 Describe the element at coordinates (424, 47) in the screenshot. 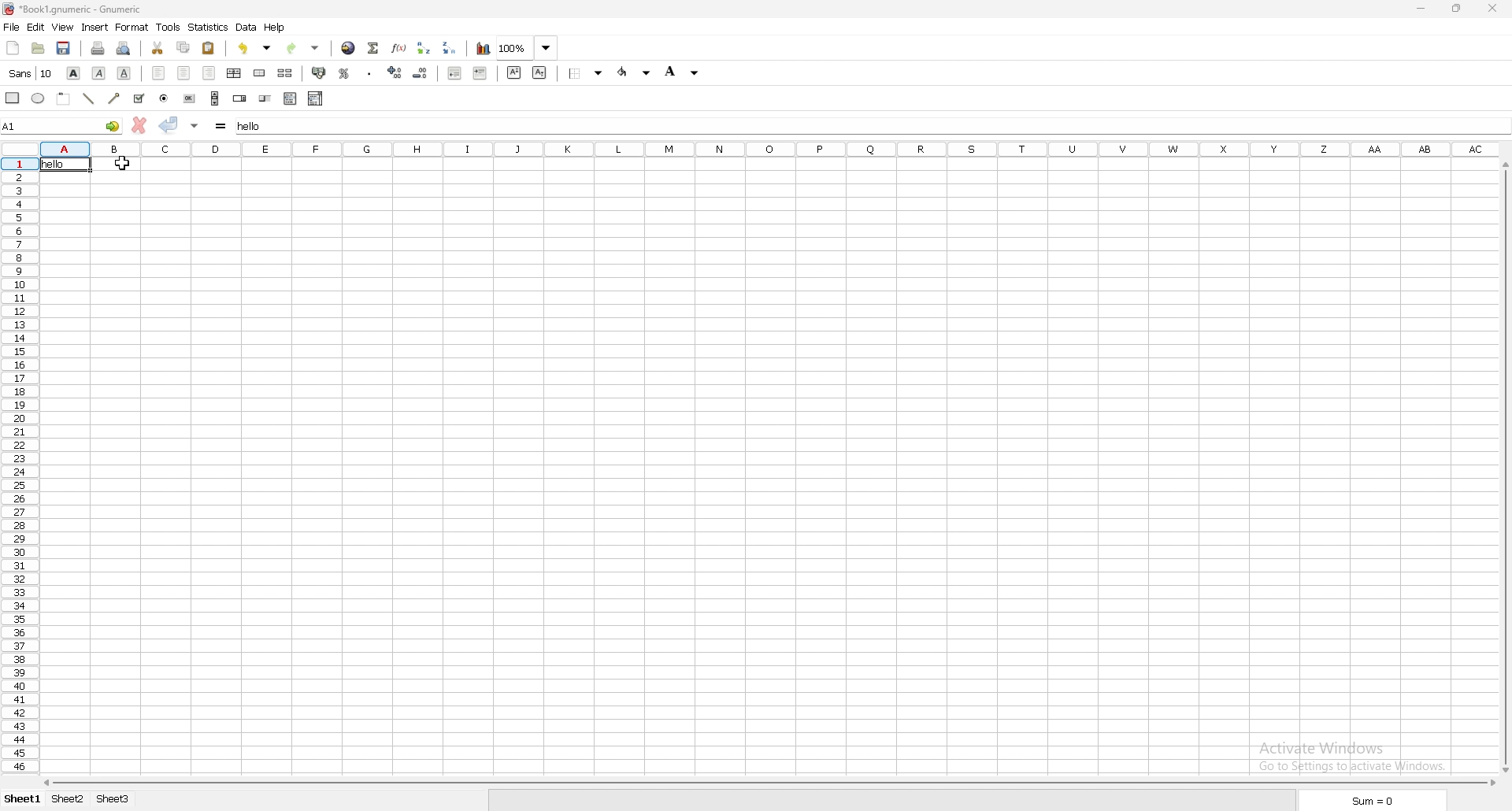

I see `sort ascending` at that location.